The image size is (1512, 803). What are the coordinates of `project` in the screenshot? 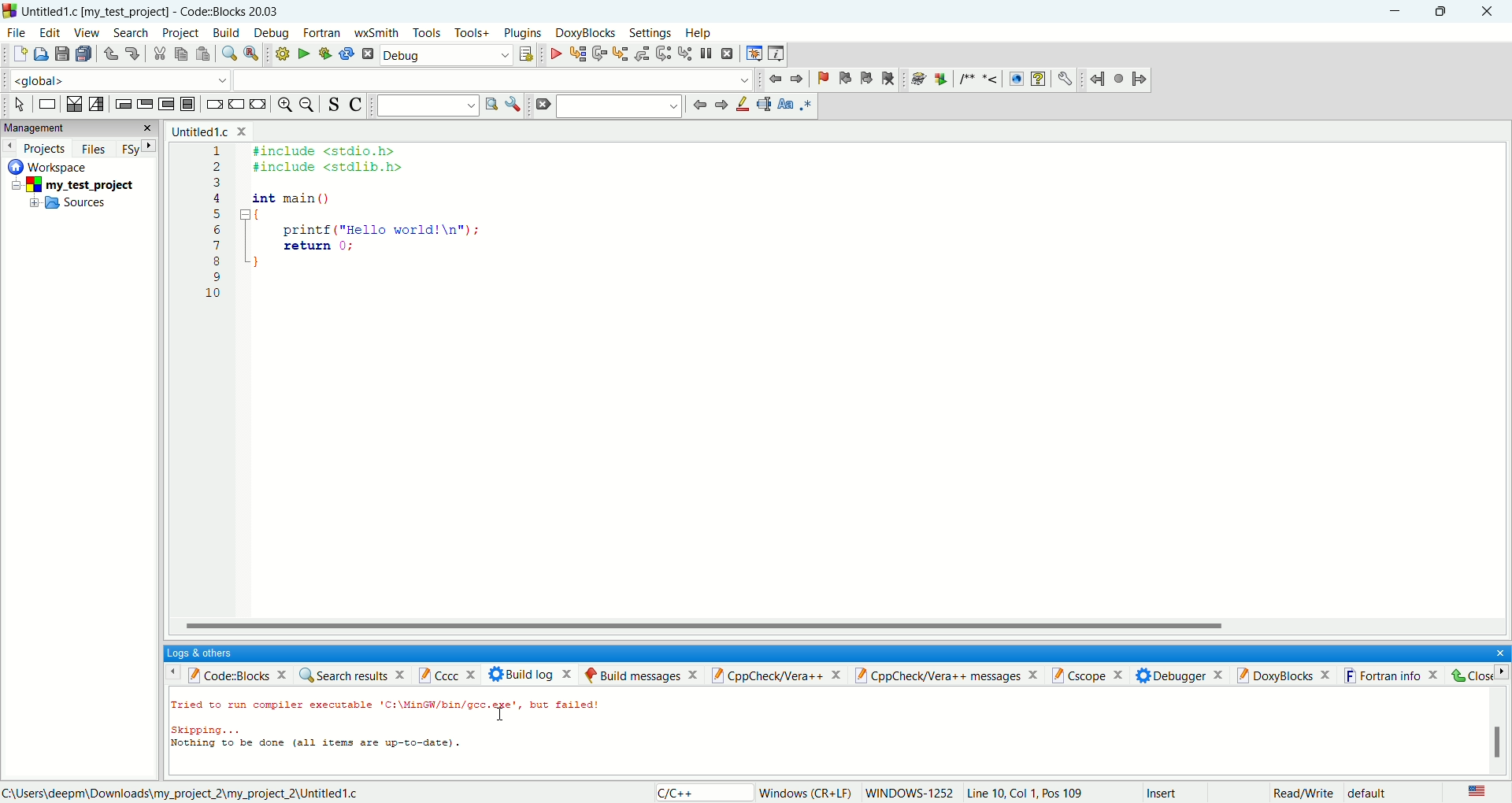 It's located at (80, 183).